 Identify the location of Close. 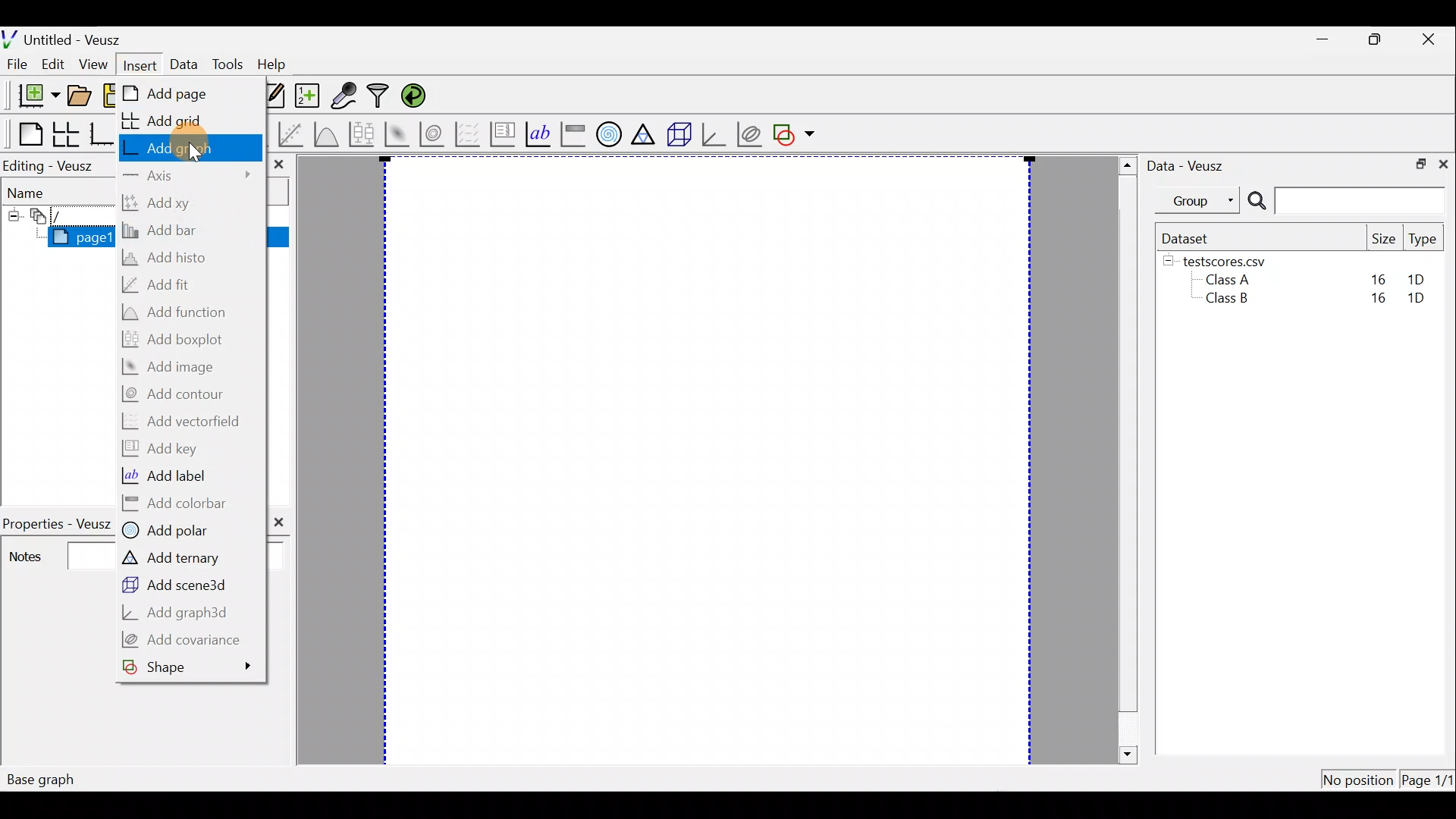
(1445, 165).